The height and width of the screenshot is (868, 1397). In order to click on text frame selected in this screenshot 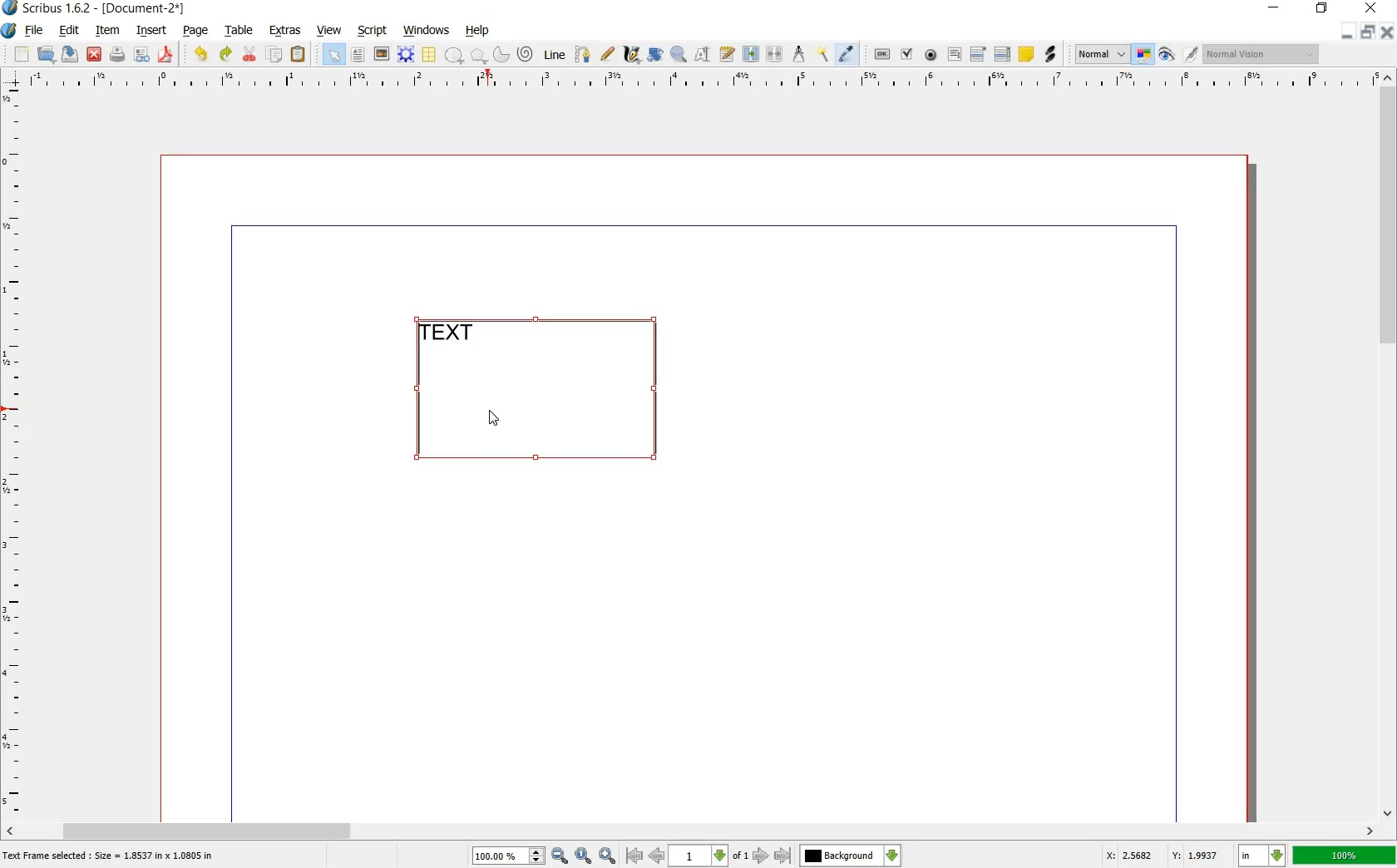, I will do `click(550, 389)`.